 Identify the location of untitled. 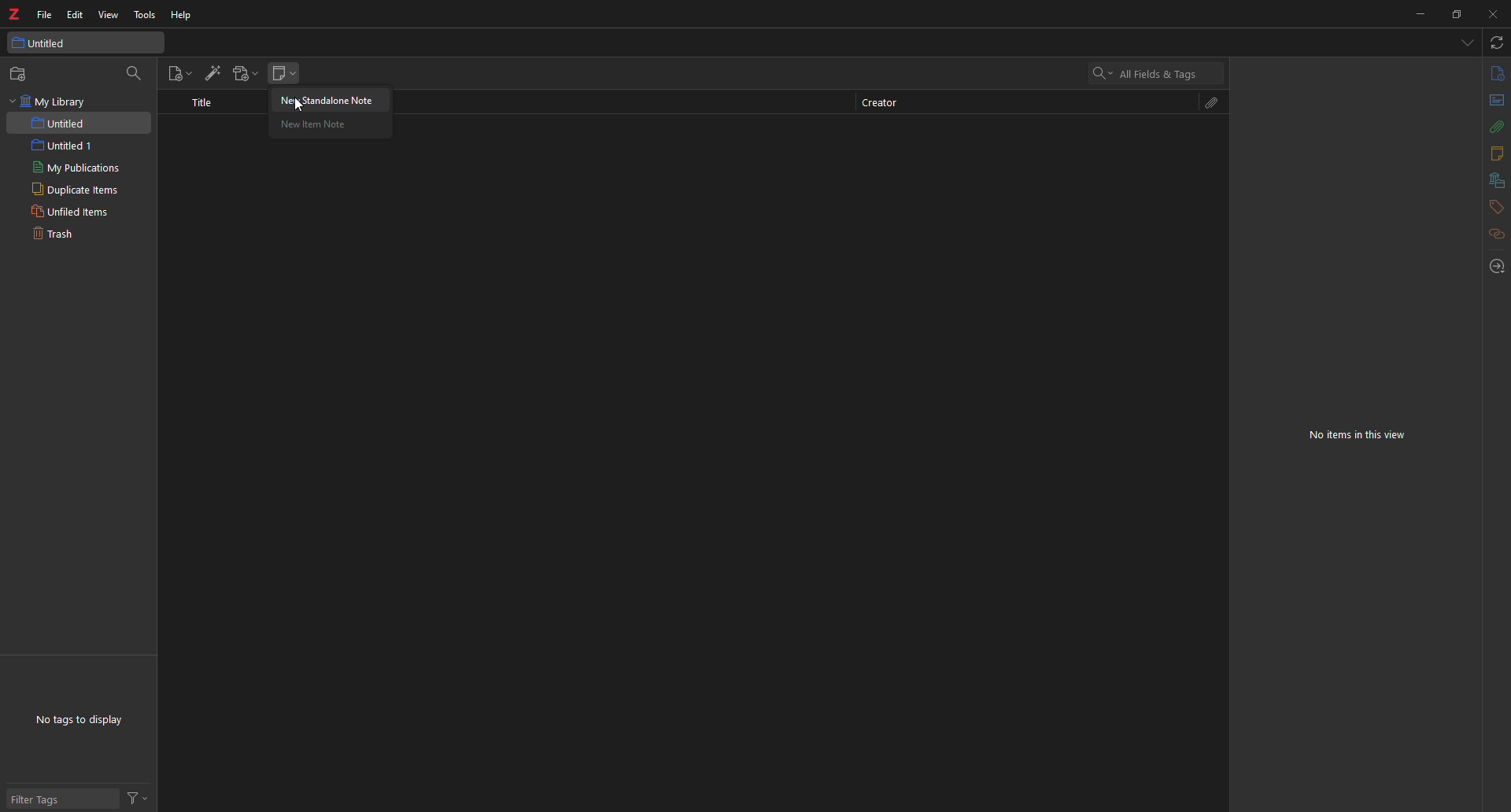
(64, 124).